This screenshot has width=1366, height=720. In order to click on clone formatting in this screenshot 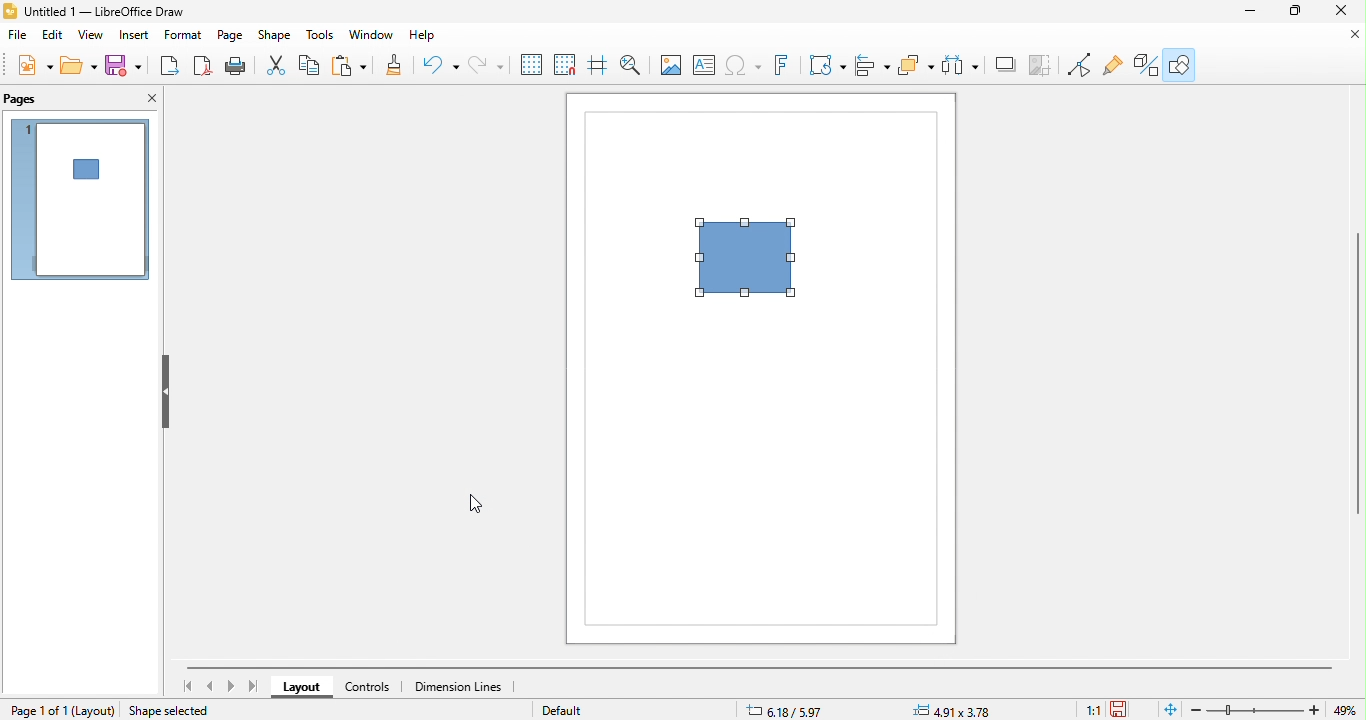, I will do `click(398, 66)`.